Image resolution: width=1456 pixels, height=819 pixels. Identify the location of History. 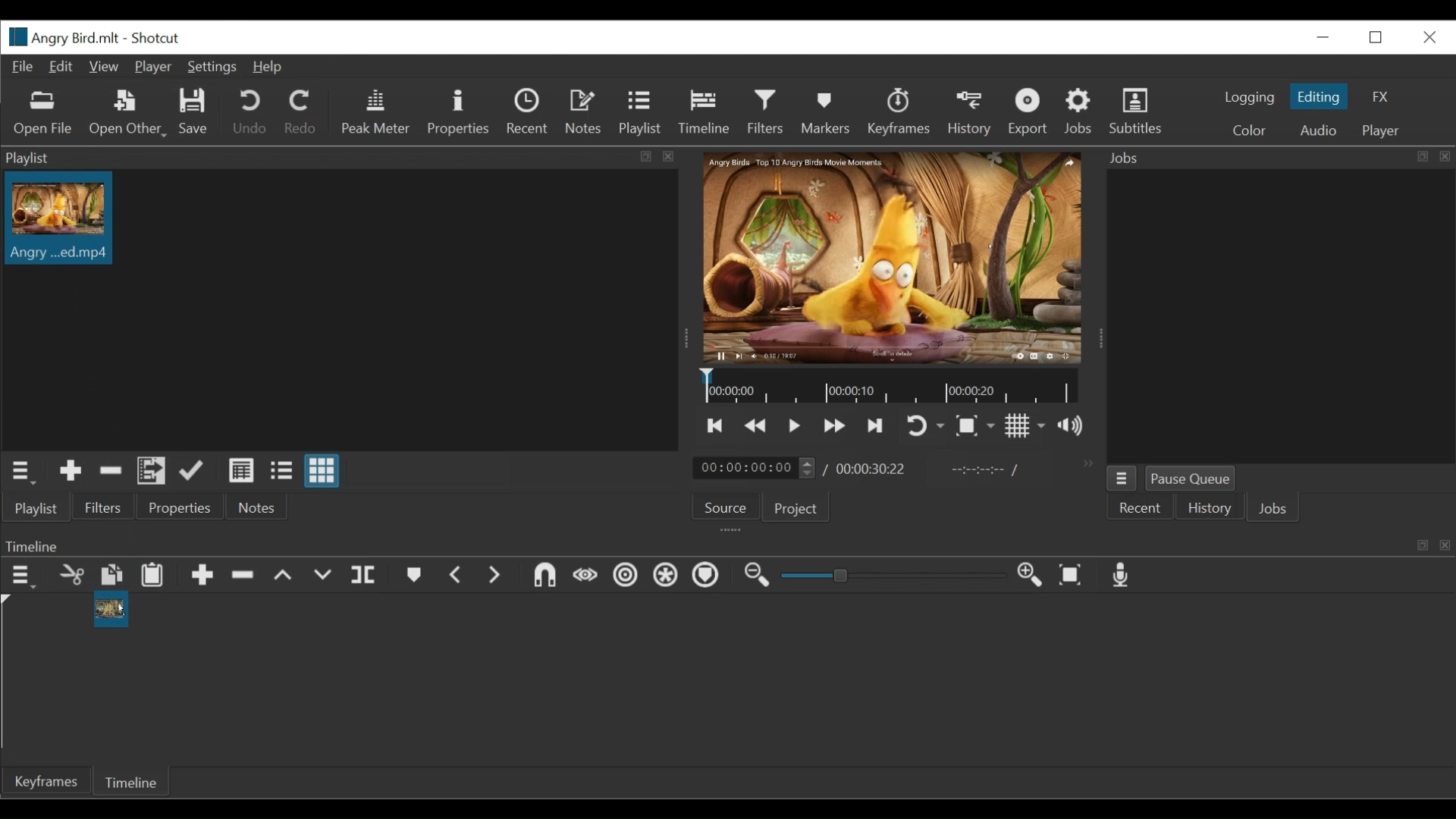
(1207, 508).